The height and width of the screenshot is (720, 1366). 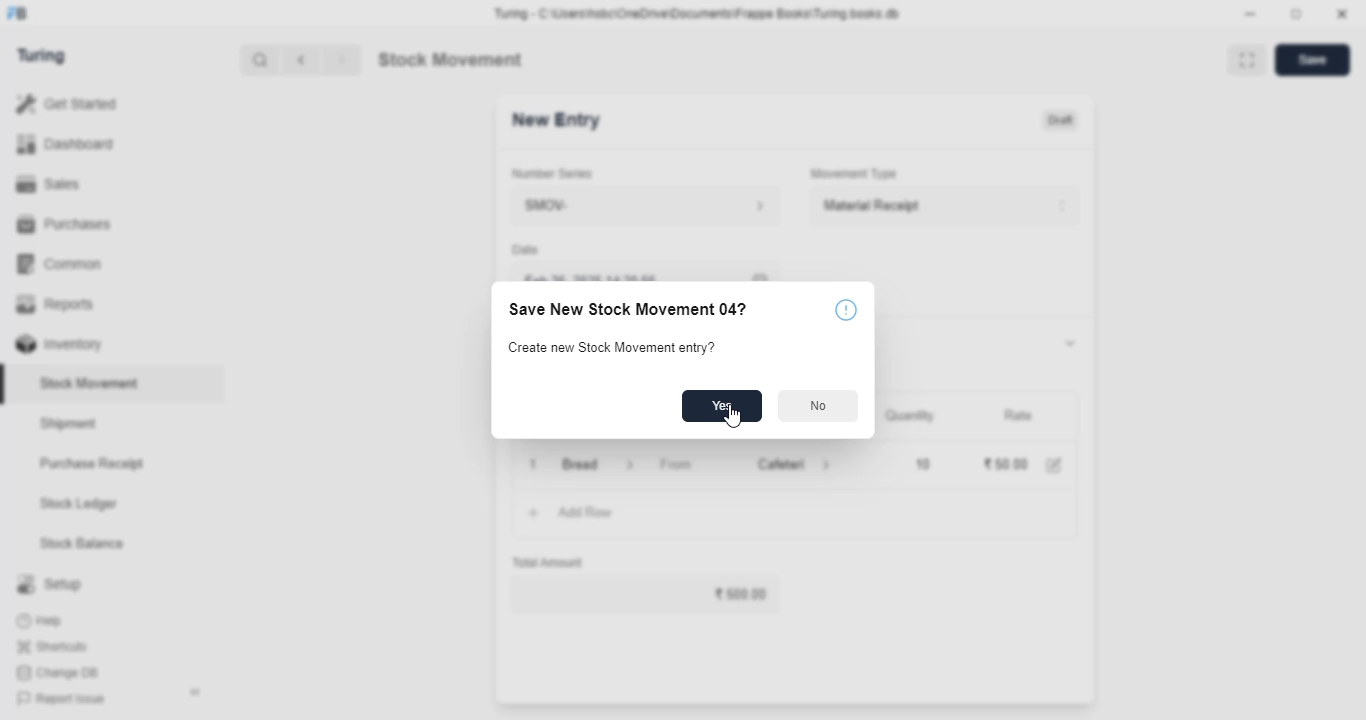 I want to click on stock balance, so click(x=83, y=544).